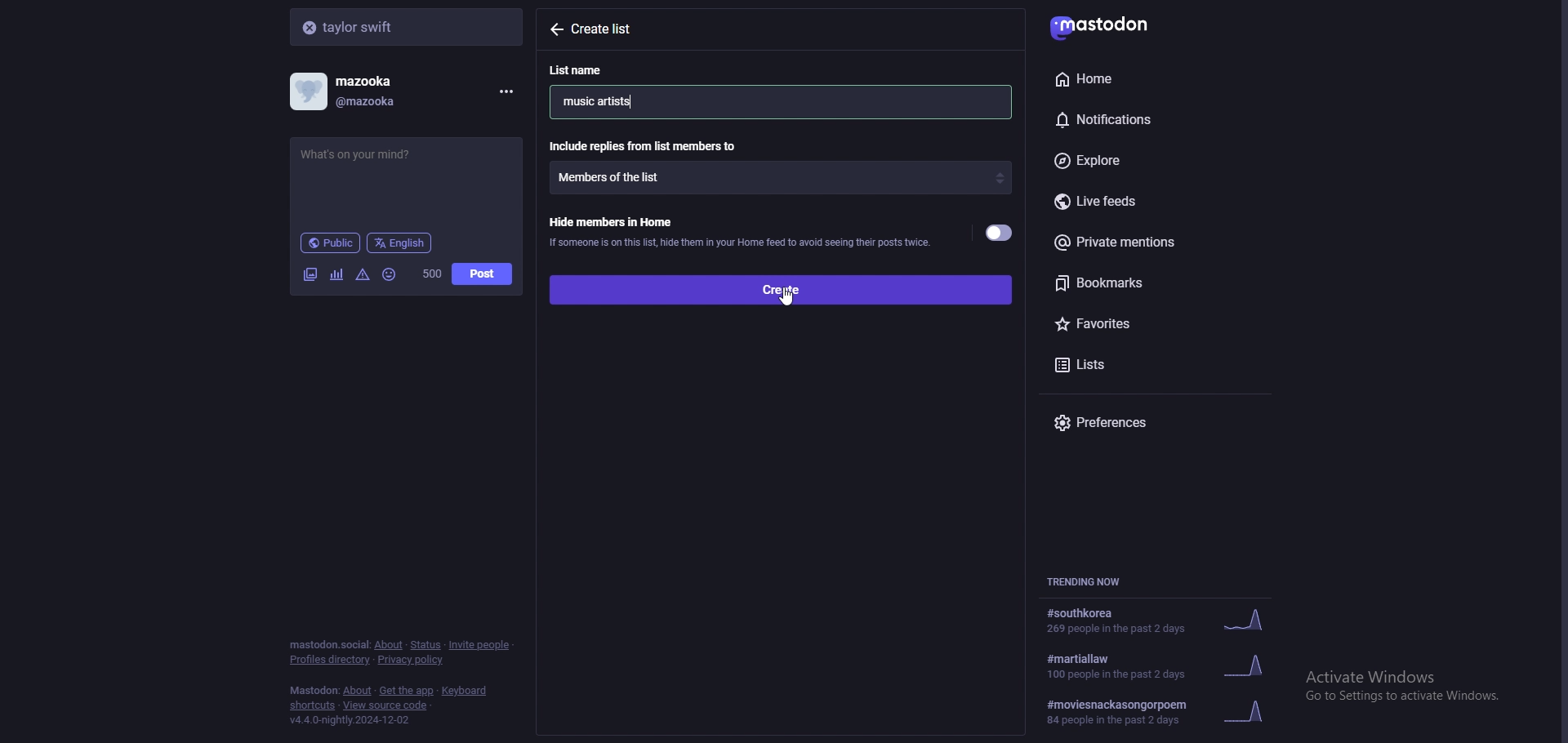  Describe the element at coordinates (1141, 321) in the screenshot. I see `favourites` at that location.